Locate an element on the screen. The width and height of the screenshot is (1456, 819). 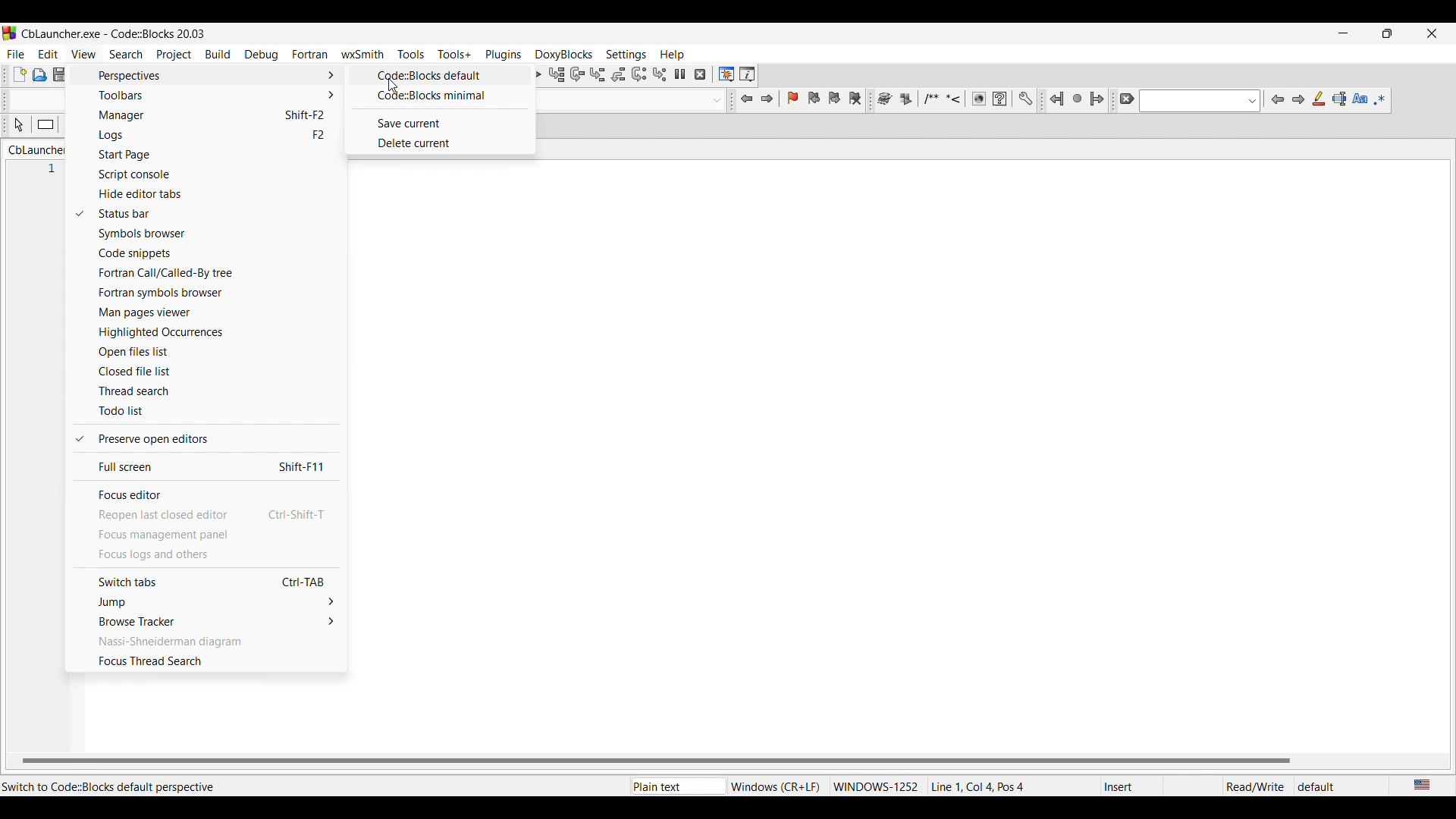
Last jump is located at coordinates (1078, 99).